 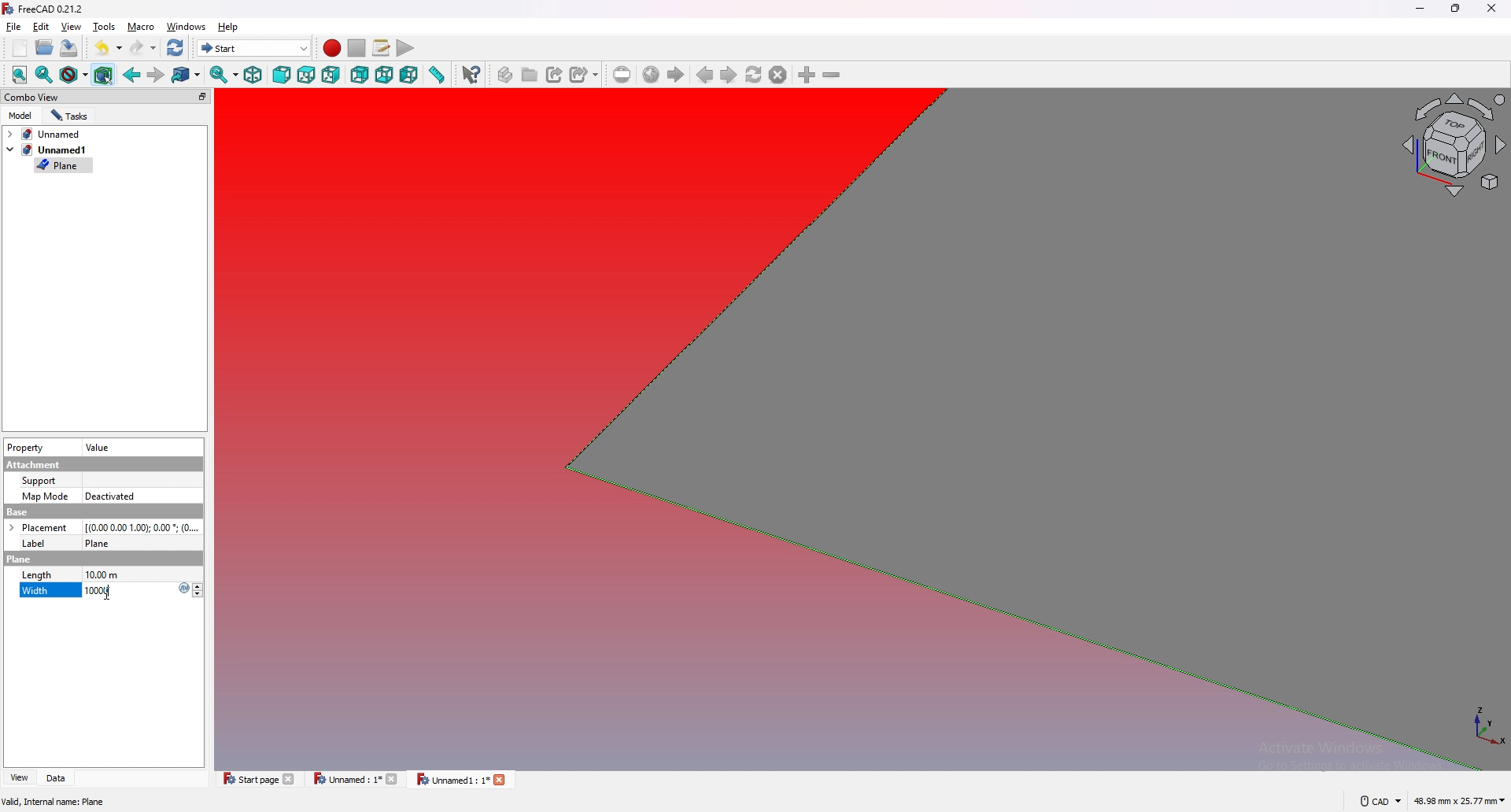 I want to click on zoom out, so click(x=831, y=74).